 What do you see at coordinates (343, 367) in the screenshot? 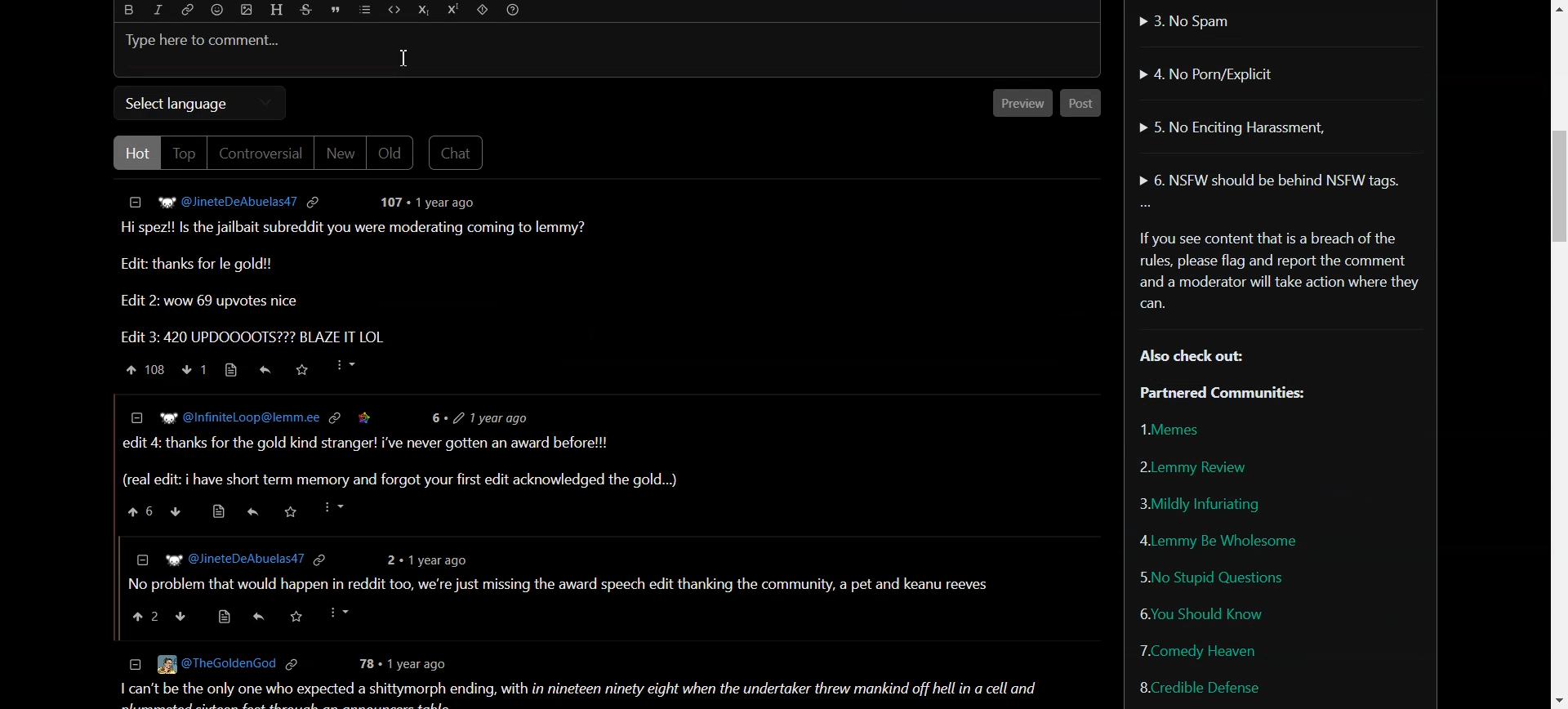
I see `More` at bounding box center [343, 367].